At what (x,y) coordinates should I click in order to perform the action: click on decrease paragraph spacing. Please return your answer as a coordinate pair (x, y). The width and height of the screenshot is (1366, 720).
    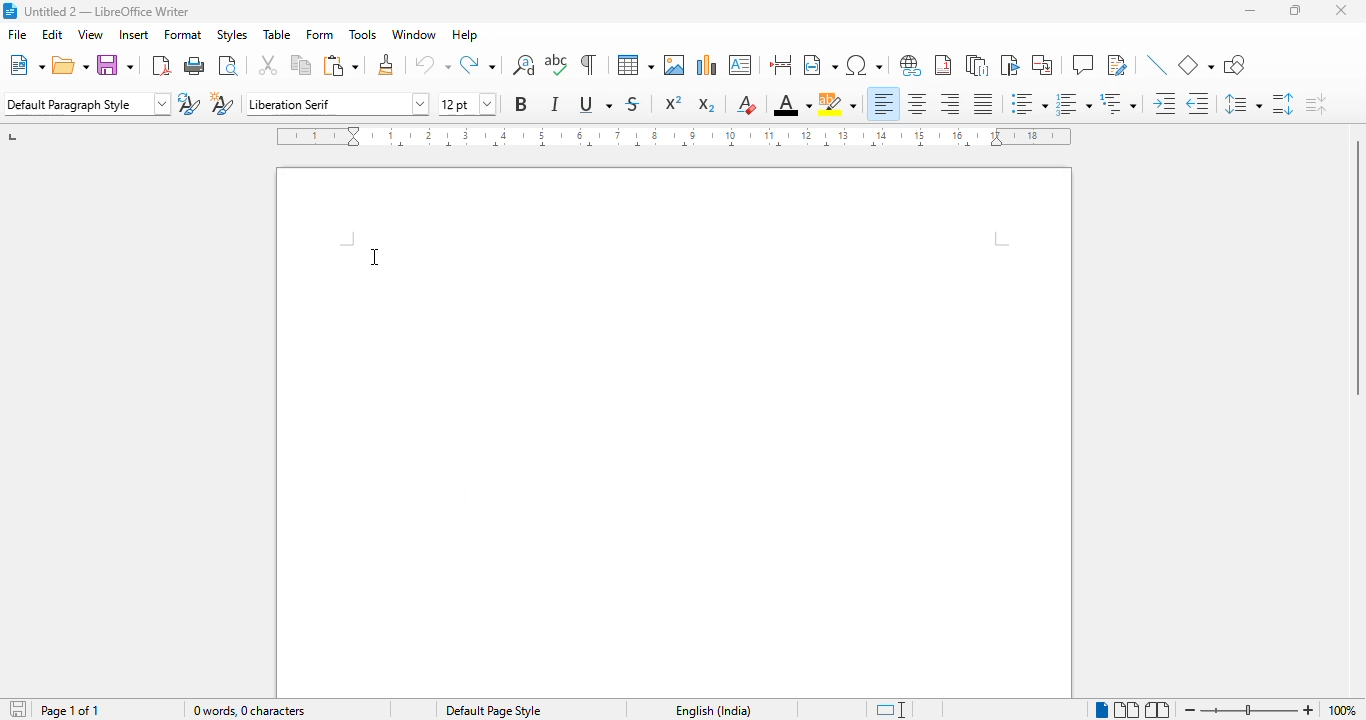
    Looking at the image, I should click on (1316, 104).